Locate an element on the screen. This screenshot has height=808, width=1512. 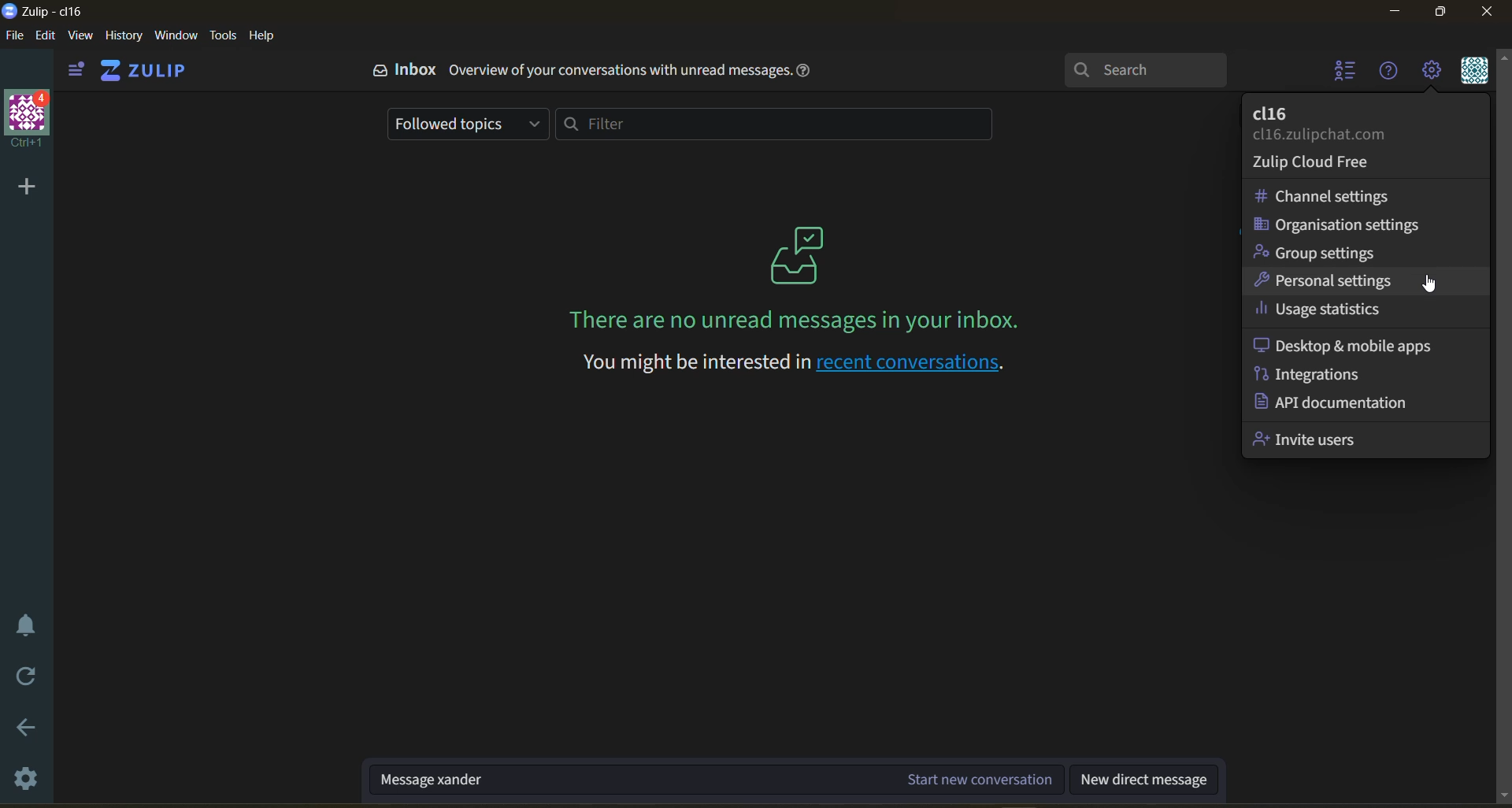
enable do not disturb is located at coordinates (28, 625).